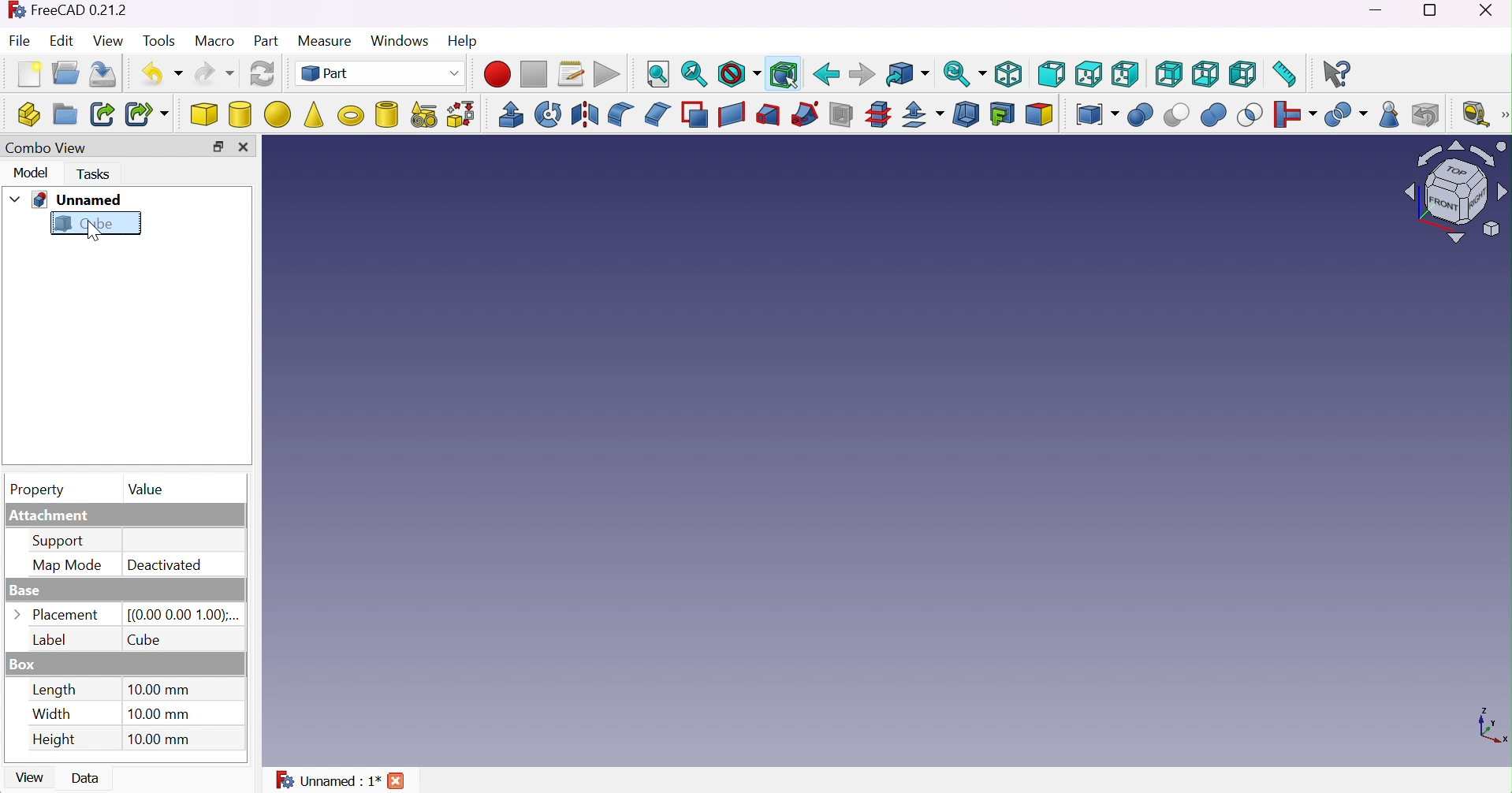  What do you see at coordinates (1213, 114) in the screenshot?
I see `Union ` at bounding box center [1213, 114].